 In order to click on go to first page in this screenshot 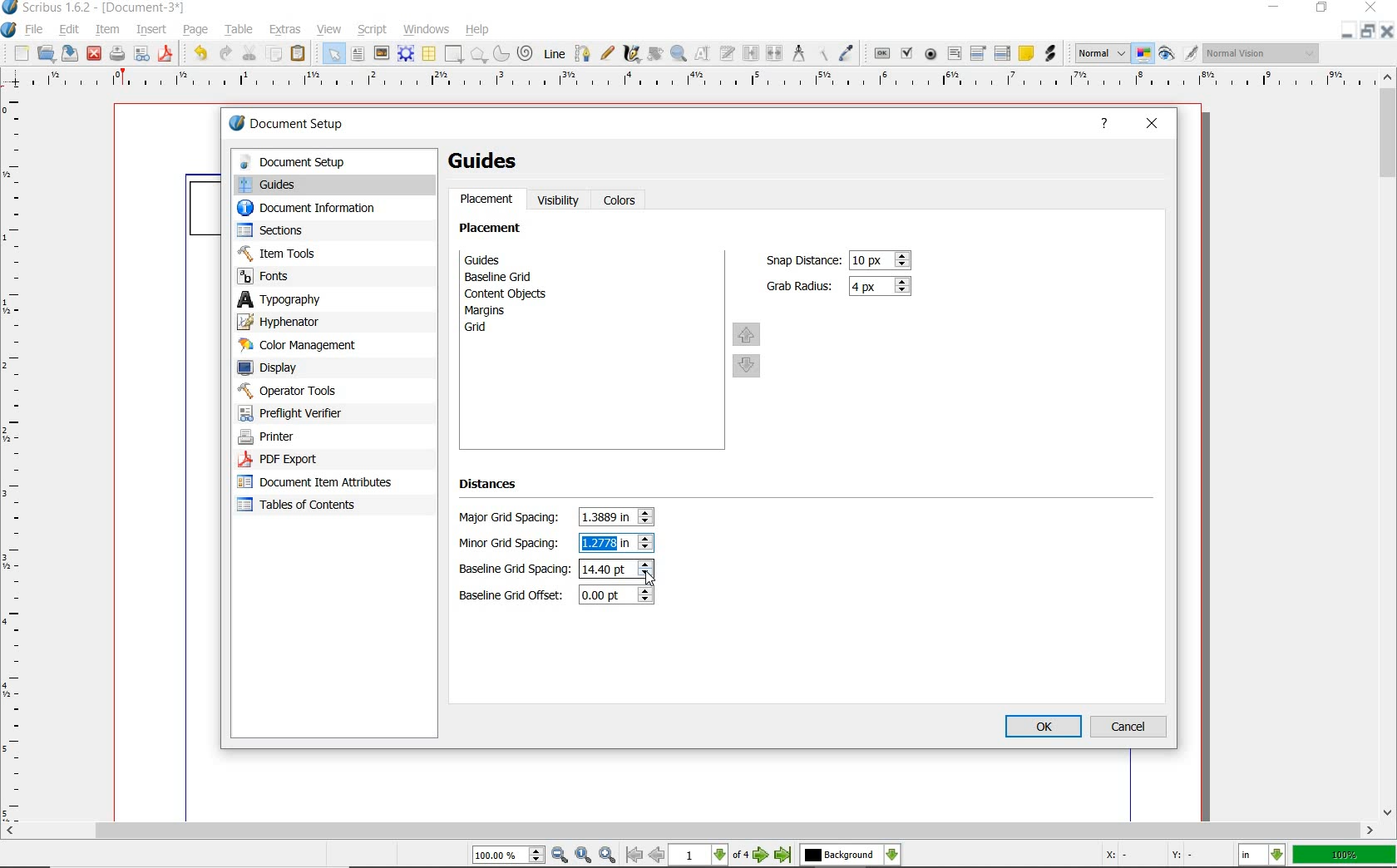, I will do `click(634, 856)`.